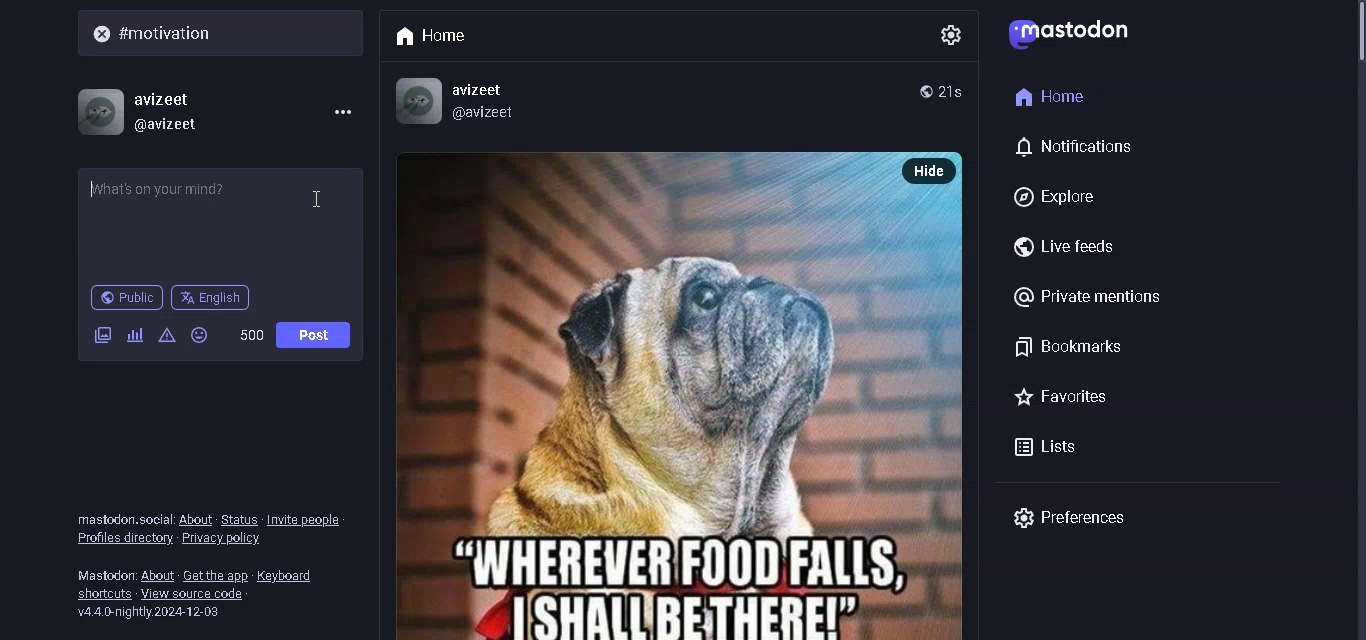  What do you see at coordinates (133, 335) in the screenshot?
I see `add poll` at bounding box center [133, 335].